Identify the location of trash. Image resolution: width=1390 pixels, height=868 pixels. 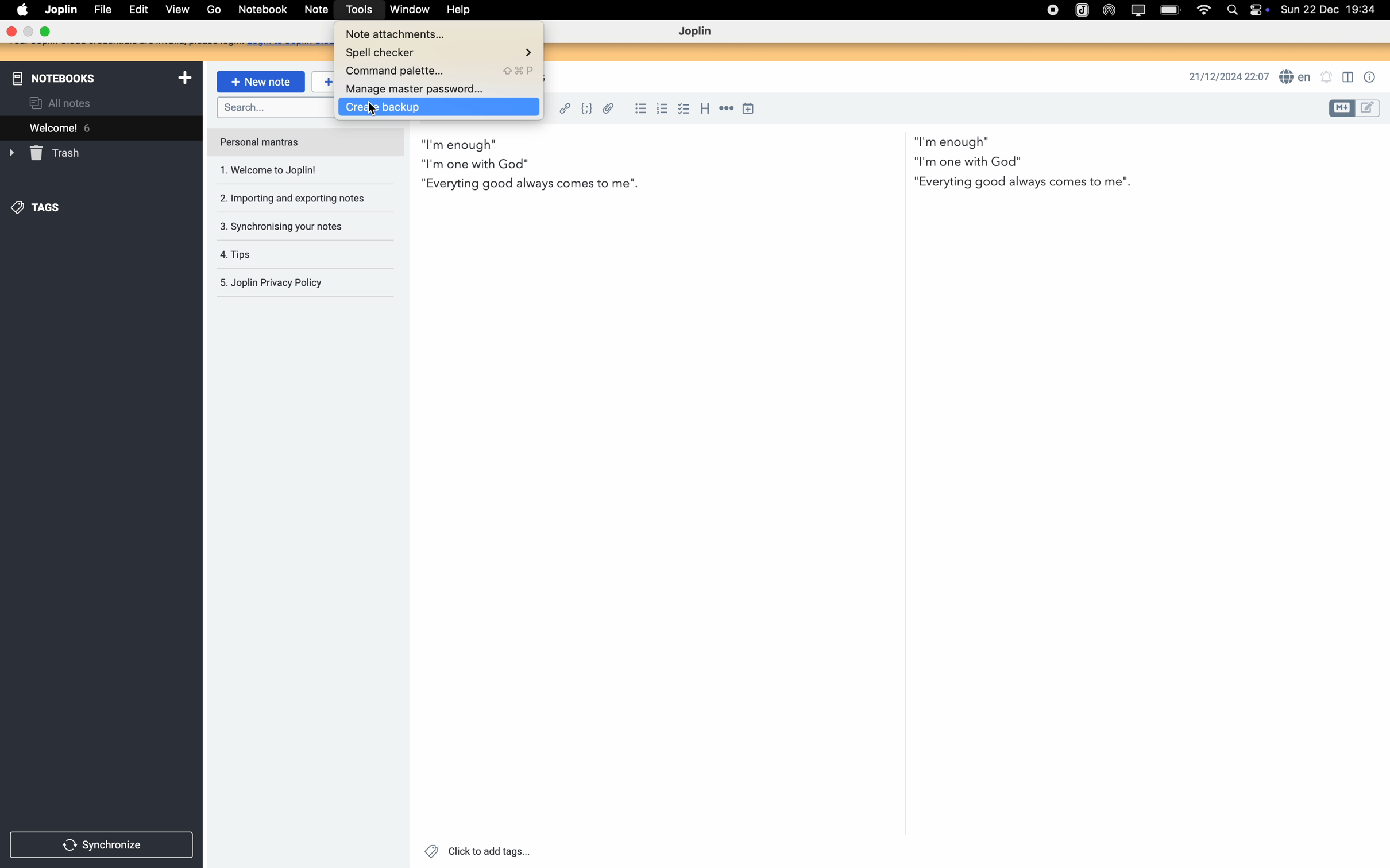
(56, 154).